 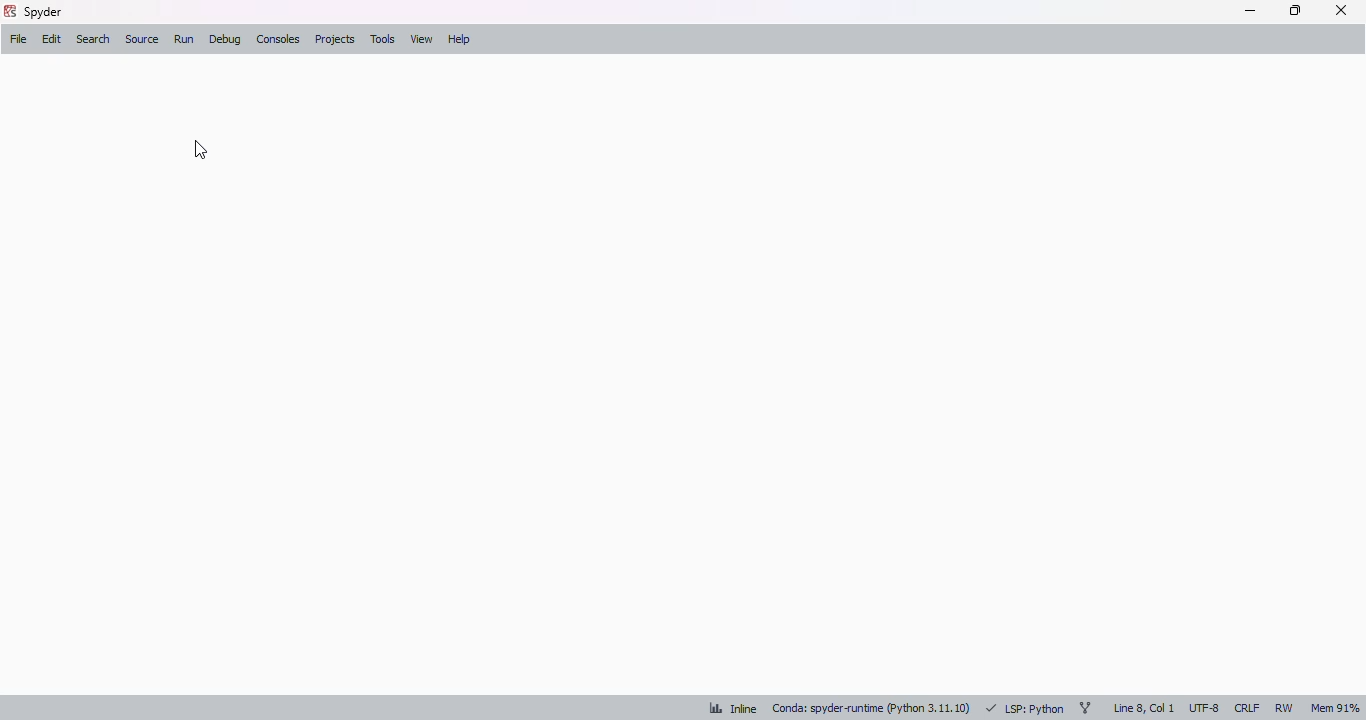 I want to click on search, so click(x=94, y=39).